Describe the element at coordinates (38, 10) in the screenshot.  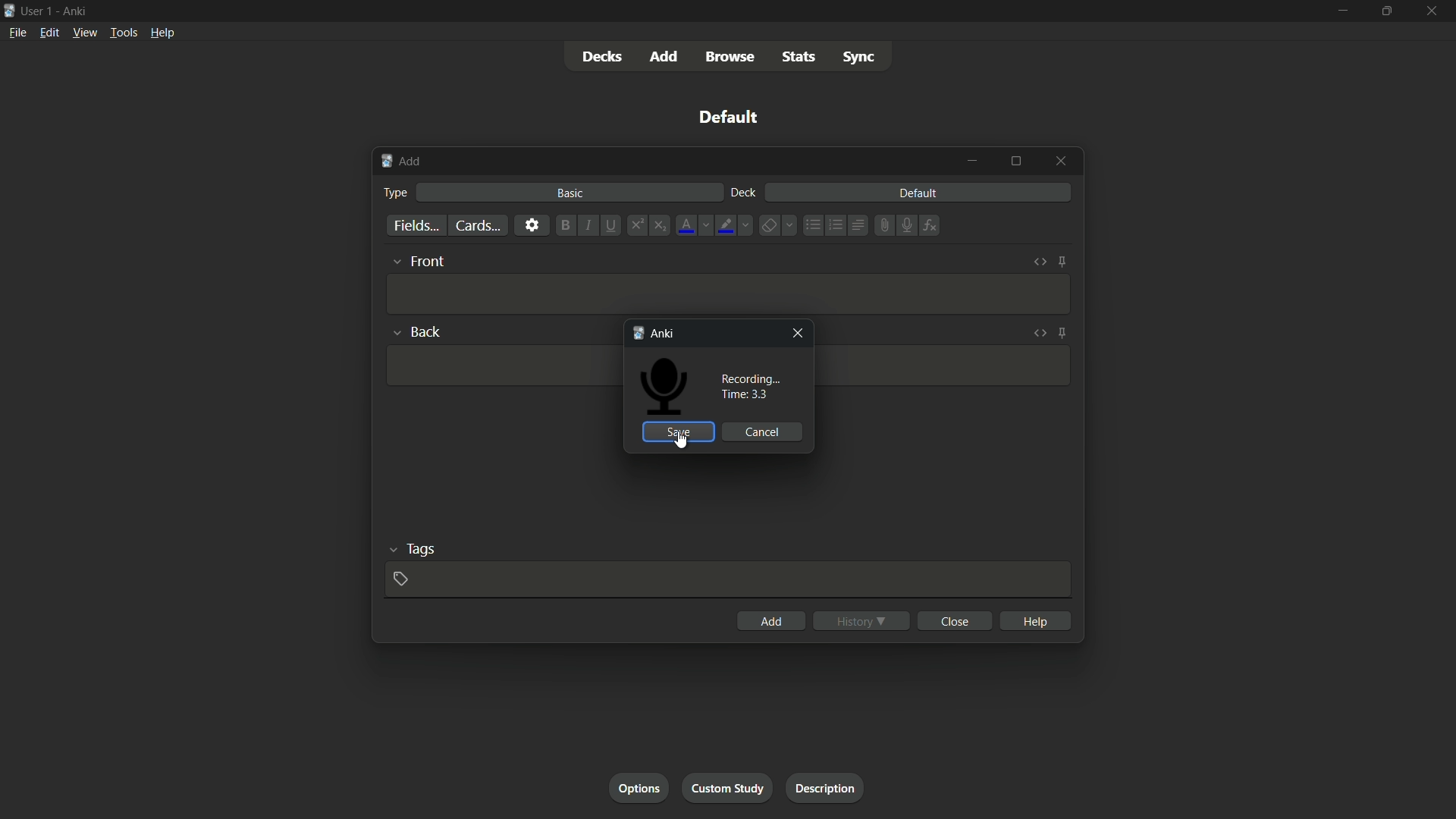
I see `user 1` at that location.